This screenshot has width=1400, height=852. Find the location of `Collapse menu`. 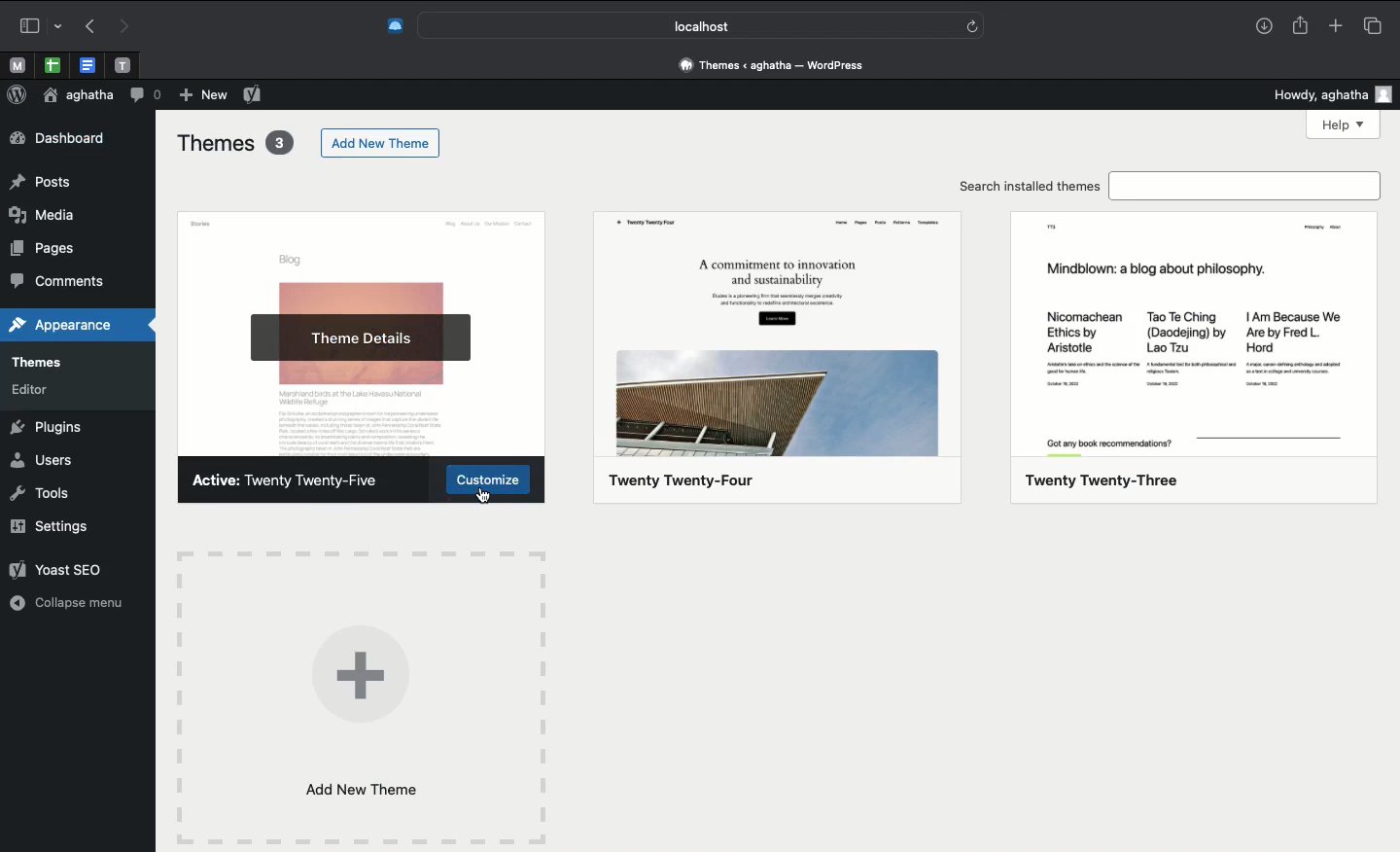

Collapse menu is located at coordinates (66, 602).